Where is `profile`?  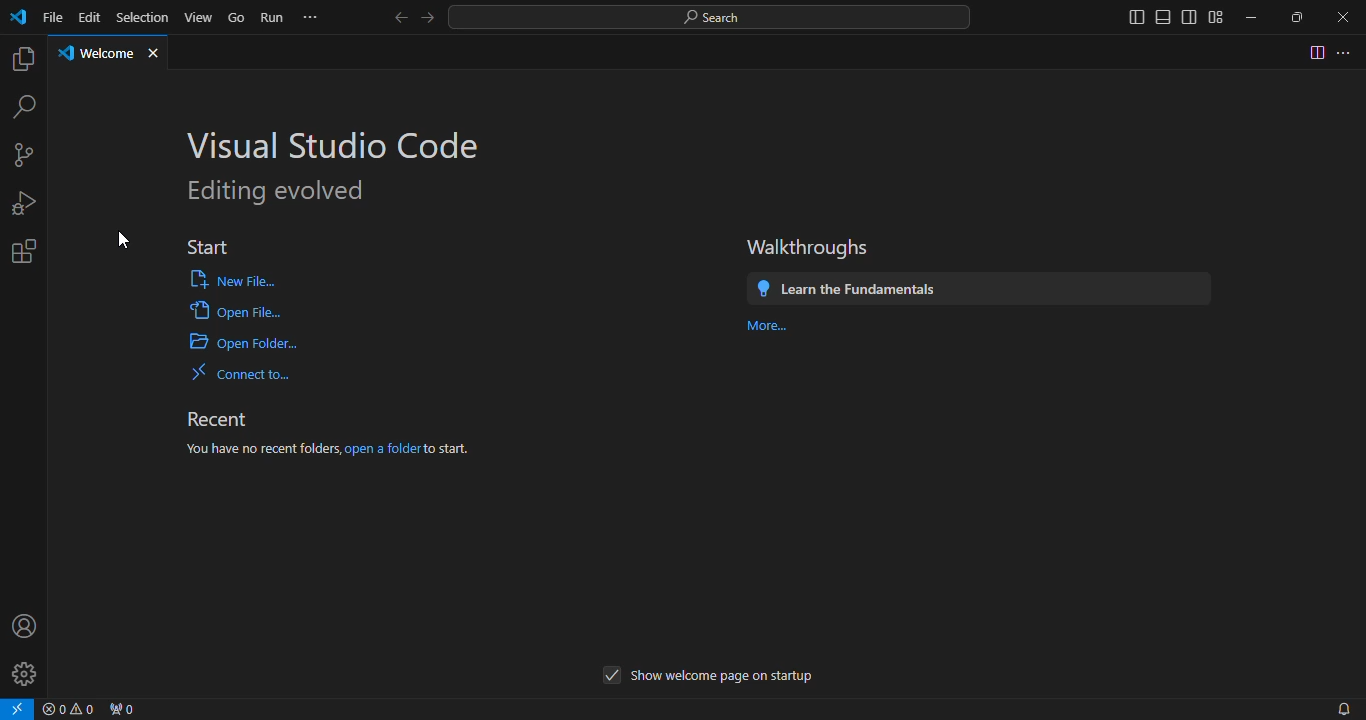
profile is located at coordinates (24, 629).